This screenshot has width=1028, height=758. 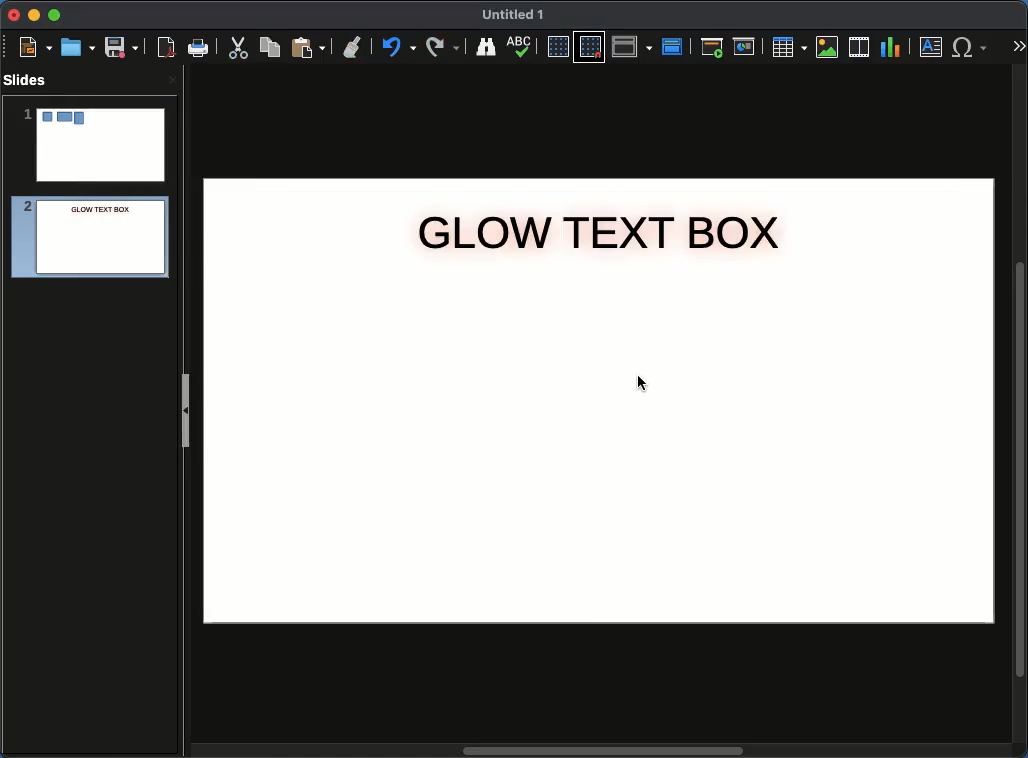 What do you see at coordinates (185, 410) in the screenshot?
I see `Slide panel` at bounding box center [185, 410].